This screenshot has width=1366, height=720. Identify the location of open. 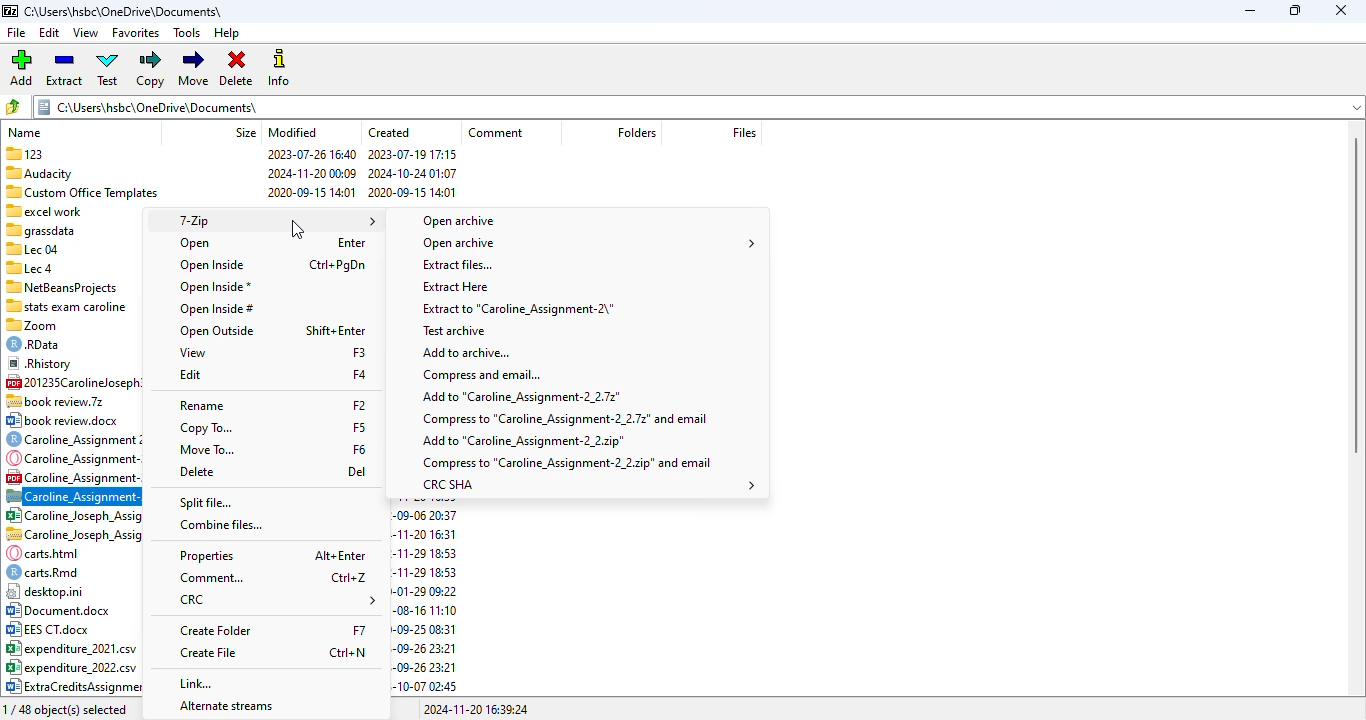
(196, 243).